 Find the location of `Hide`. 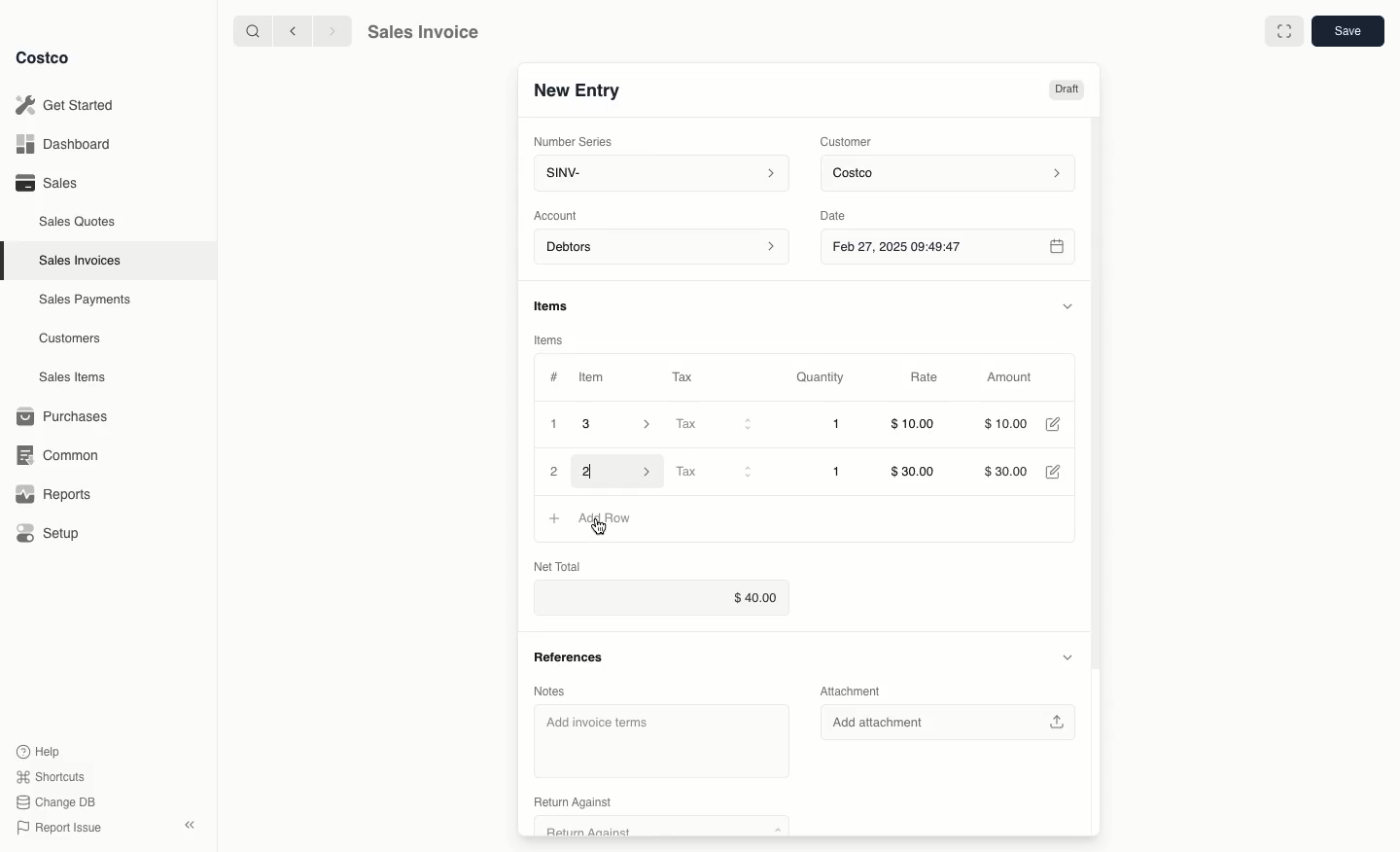

Hide is located at coordinates (1066, 655).